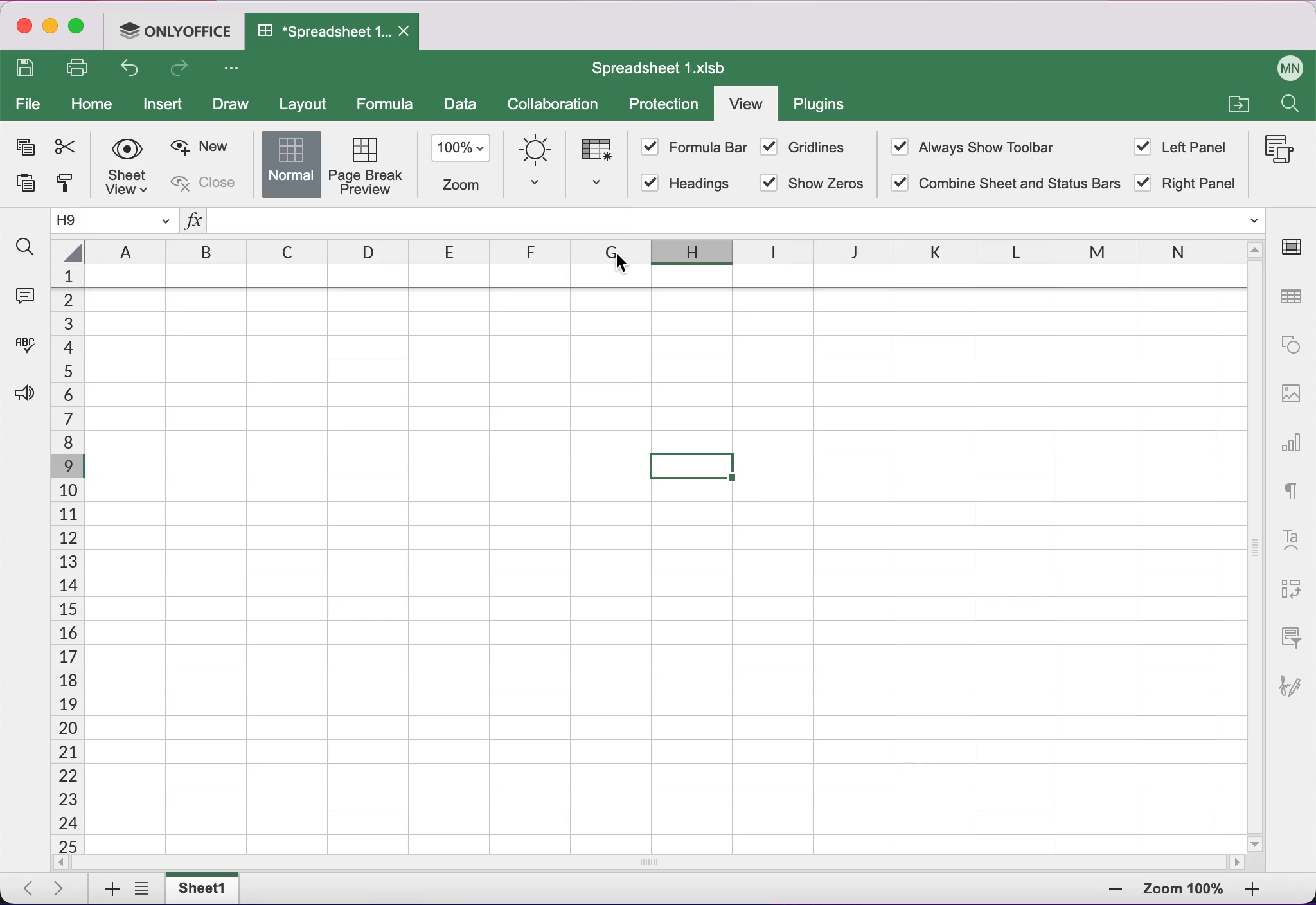  Describe the element at coordinates (63, 890) in the screenshot. I see `next tab` at that location.